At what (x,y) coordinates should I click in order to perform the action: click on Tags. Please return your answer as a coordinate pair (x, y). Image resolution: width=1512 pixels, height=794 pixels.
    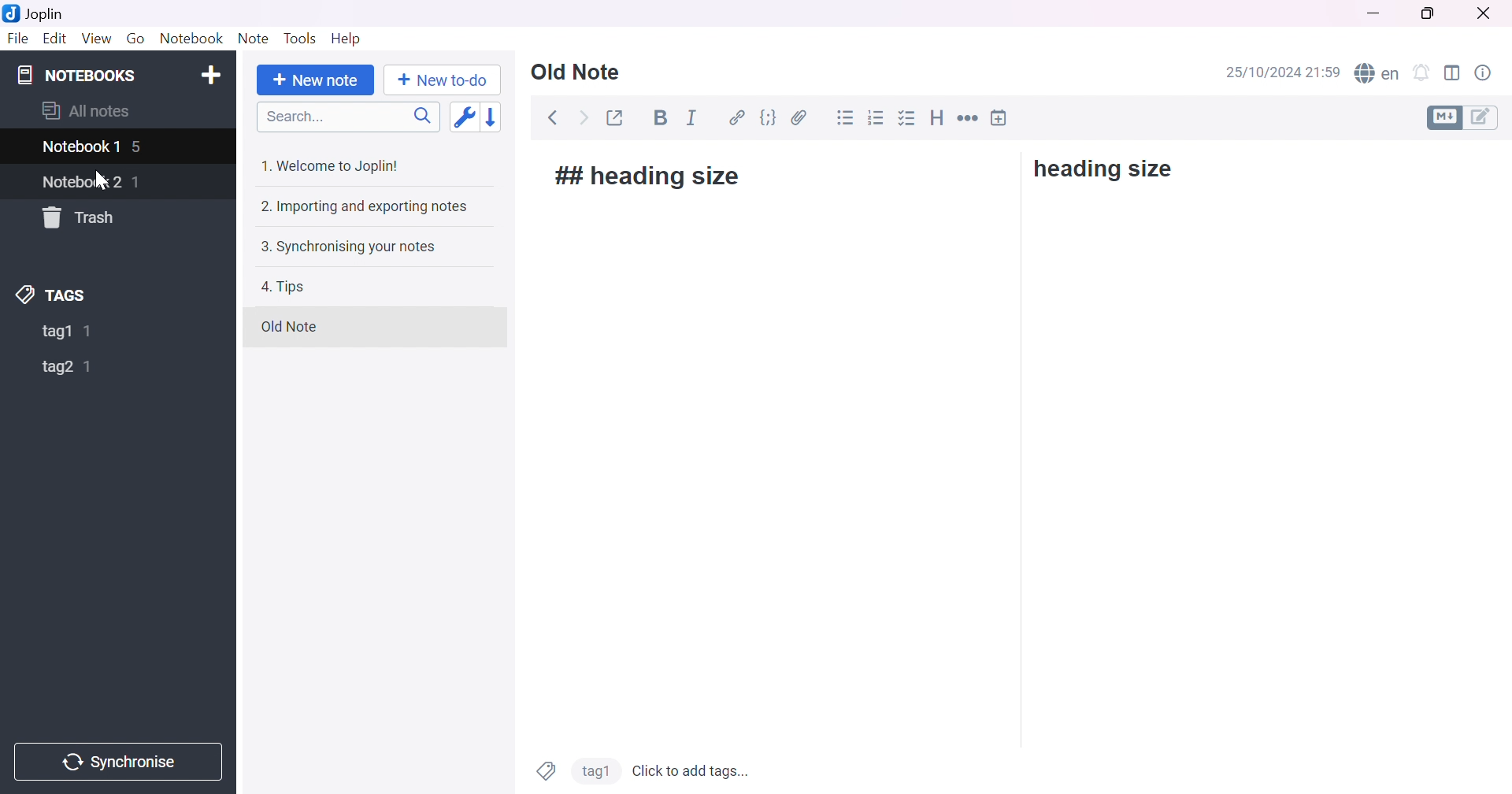
    Looking at the image, I should click on (546, 770).